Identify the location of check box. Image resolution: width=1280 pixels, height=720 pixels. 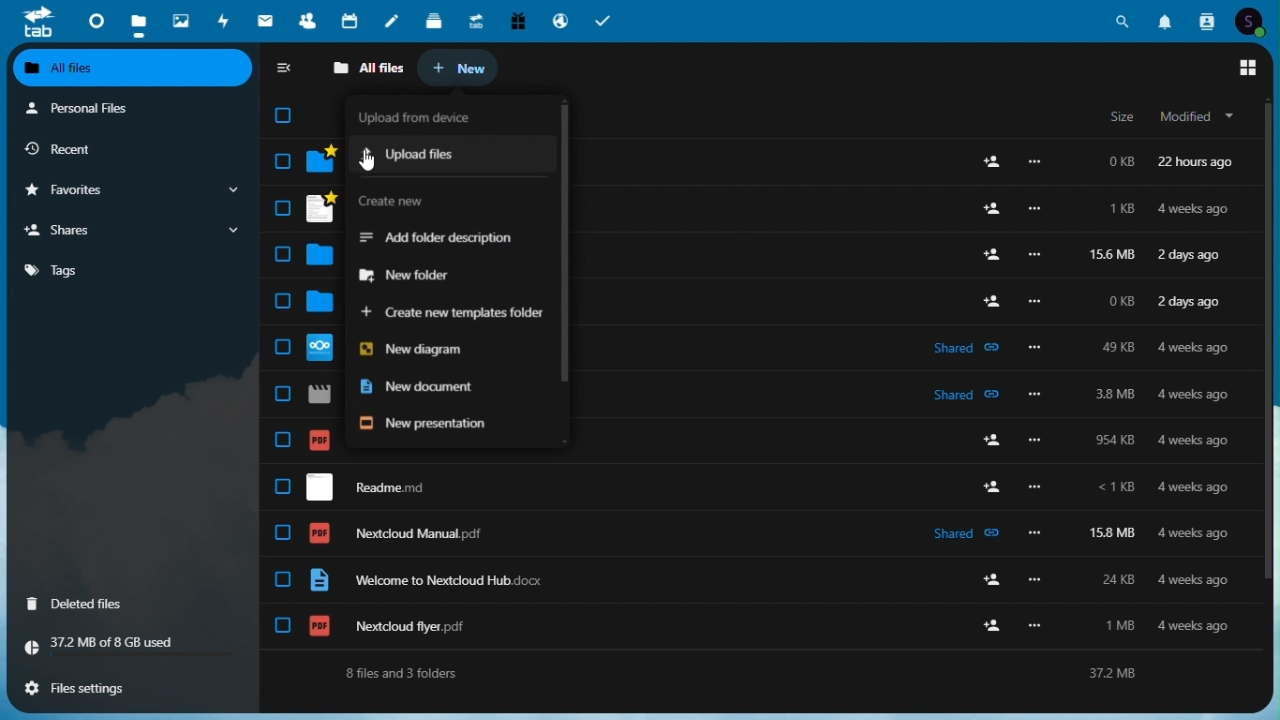
(279, 579).